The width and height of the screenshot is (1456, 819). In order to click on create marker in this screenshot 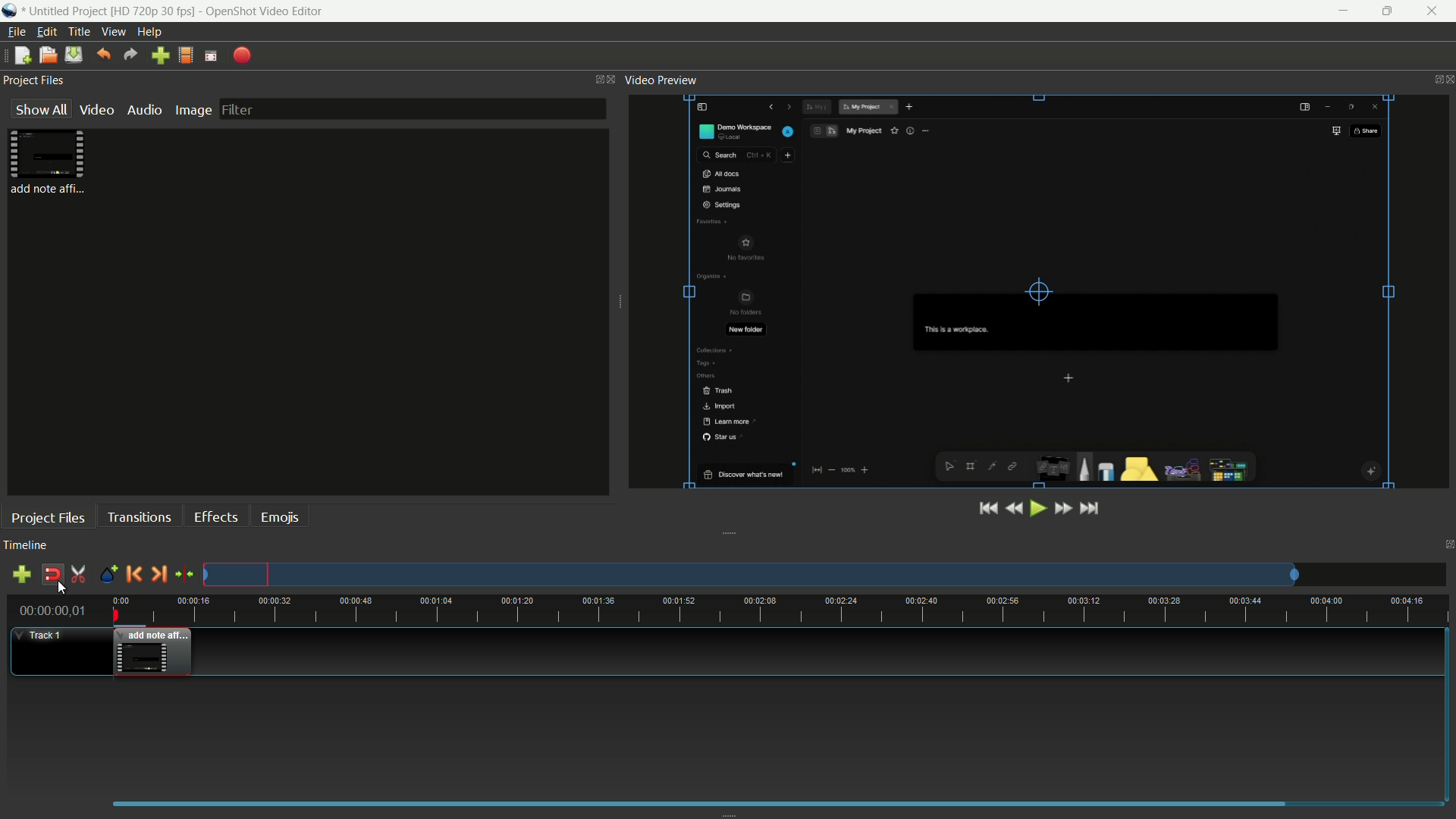, I will do `click(106, 575)`.